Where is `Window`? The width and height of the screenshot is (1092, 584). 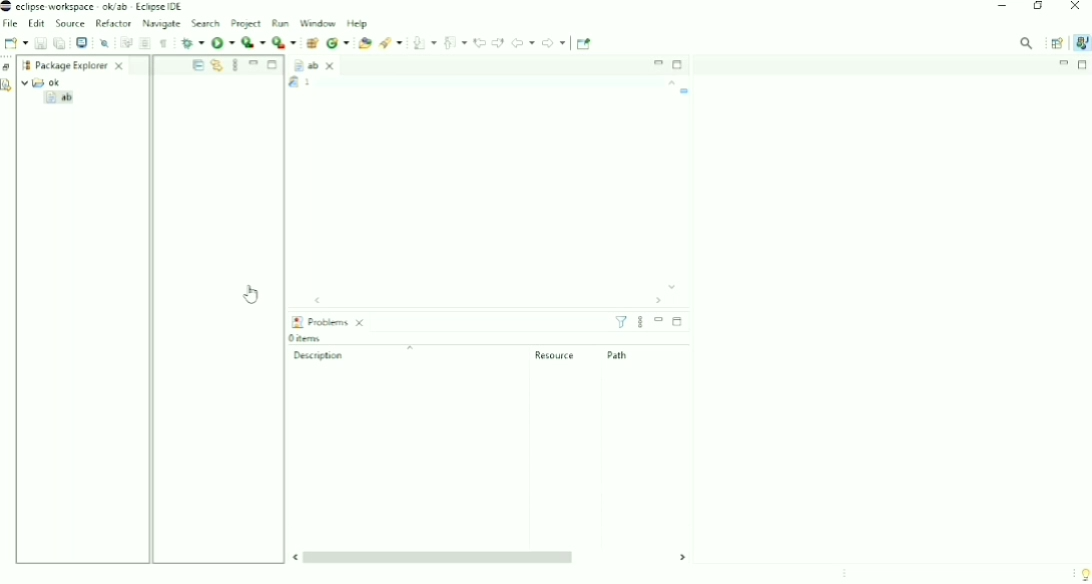
Window is located at coordinates (317, 23).